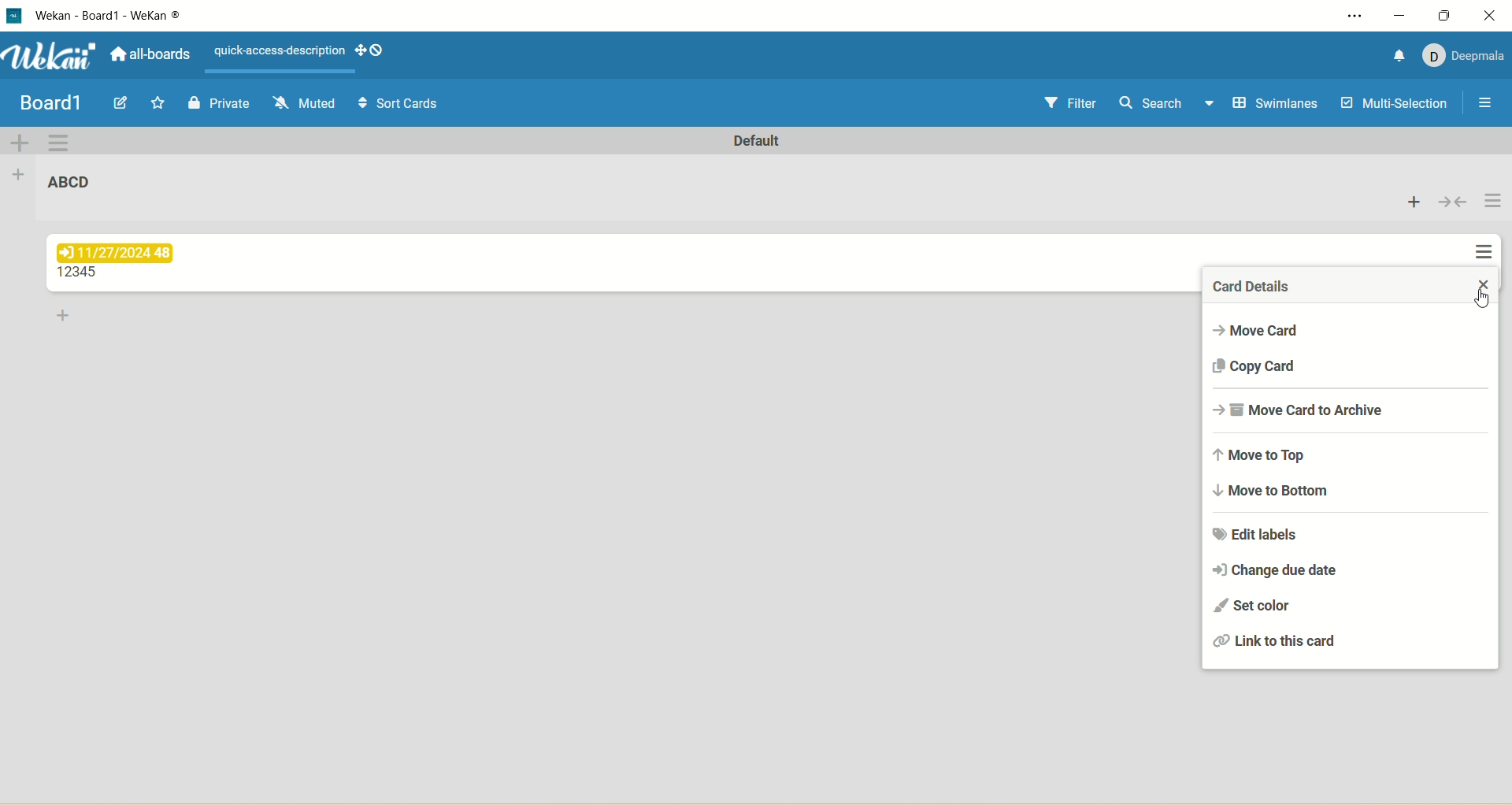 The image size is (1512, 805). What do you see at coordinates (402, 103) in the screenshot?
I see `sort cards` at bounding box center [402, 103].